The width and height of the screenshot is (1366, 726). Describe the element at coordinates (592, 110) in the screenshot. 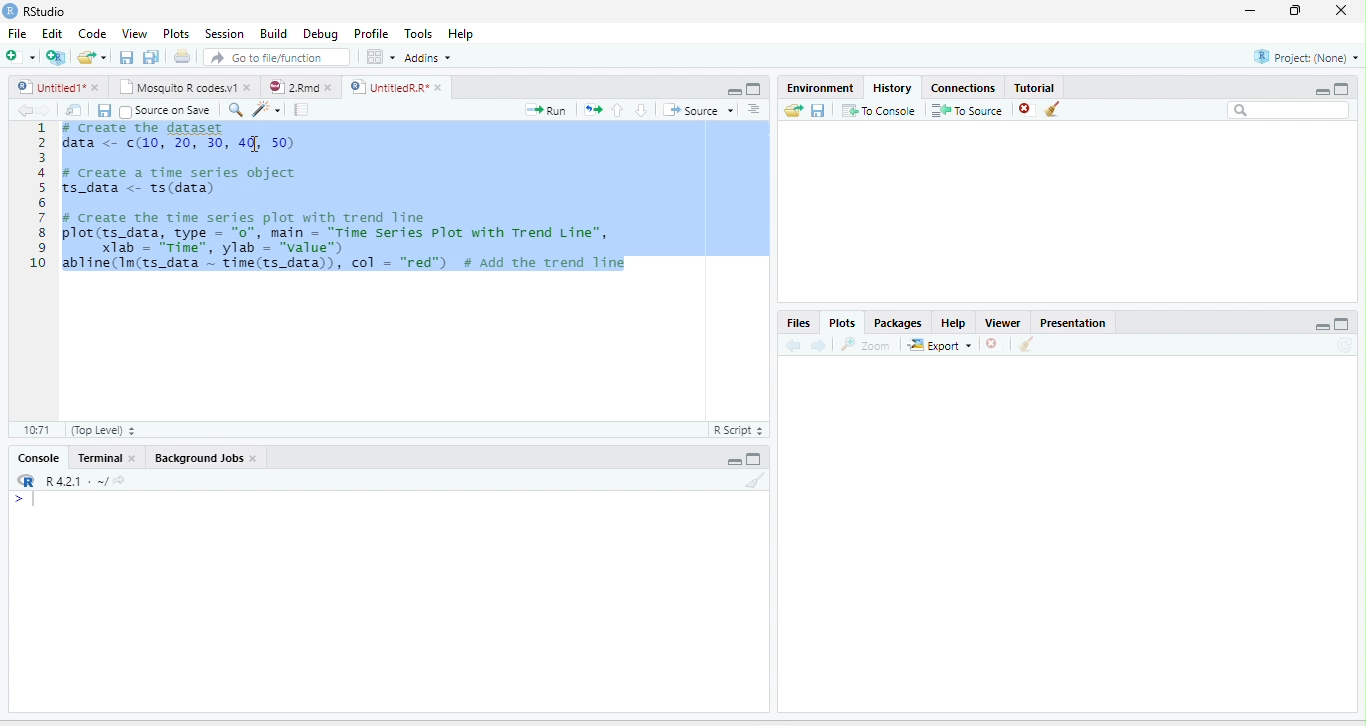

I see `Re-run the previous code region` at that location.